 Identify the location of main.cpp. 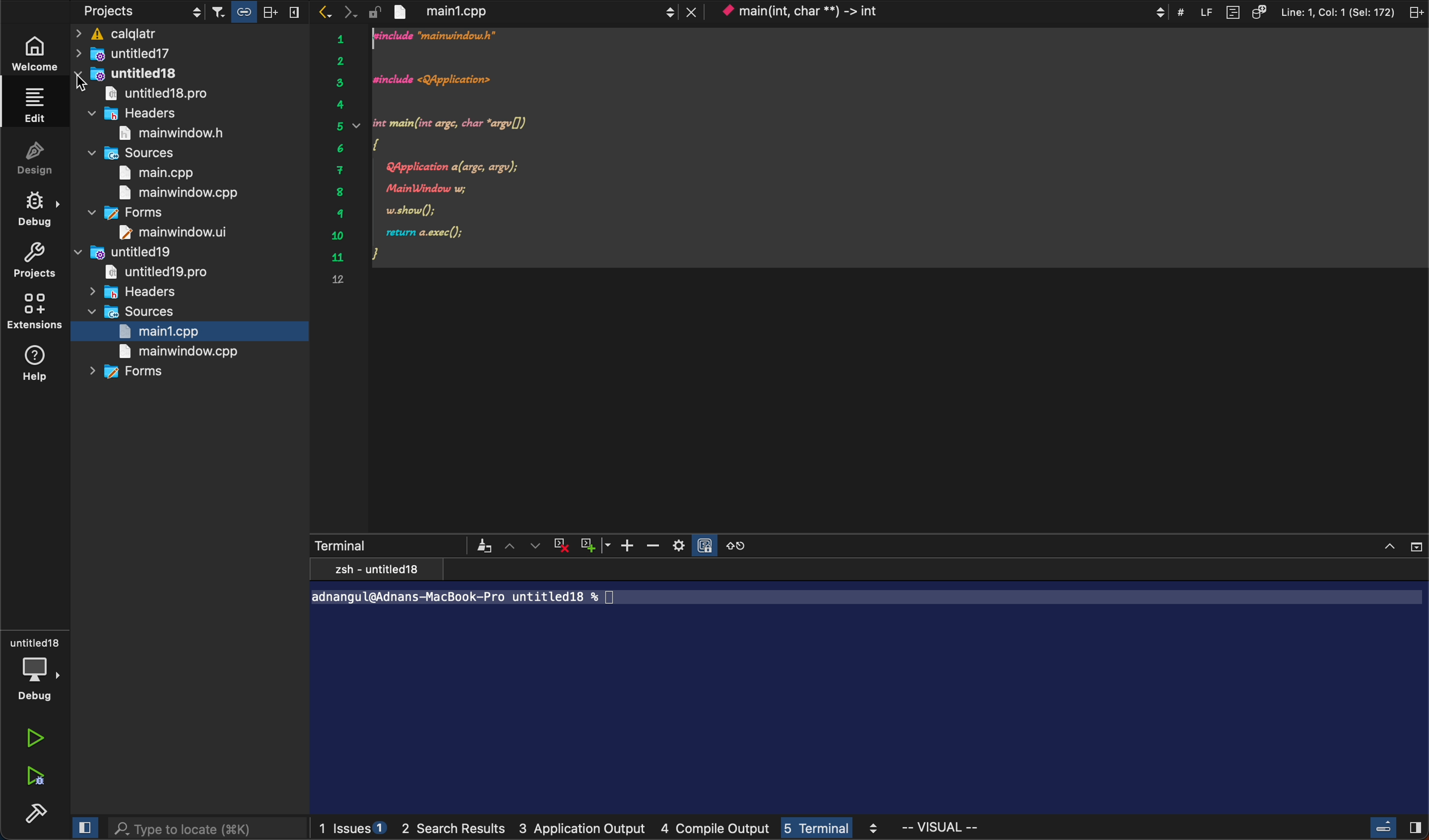
(160, 173).